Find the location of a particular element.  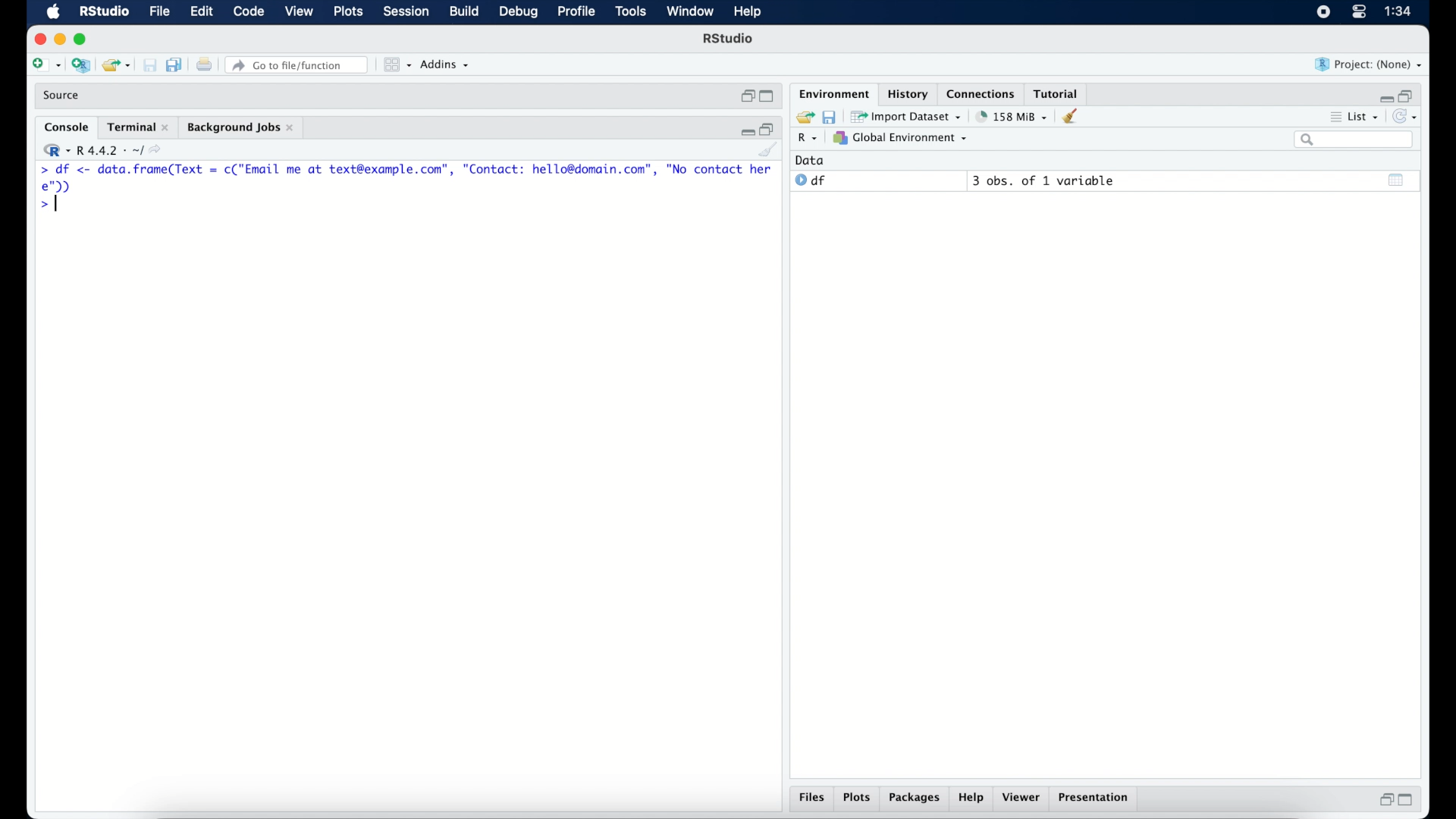

view in panes is located at coordinates (396, 65).